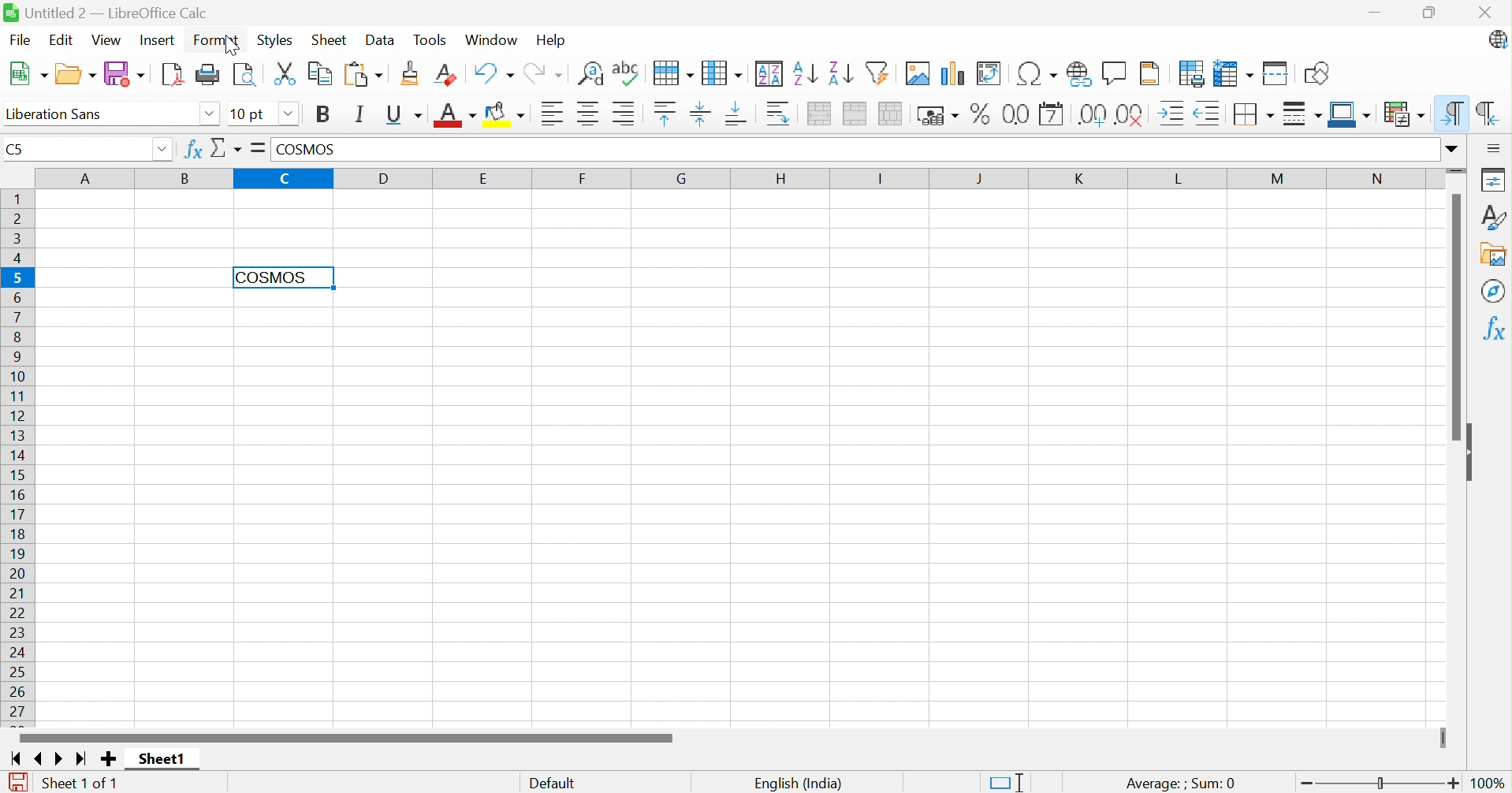  What do you see at coordinates (225, 148) in the screenshot?
I see `Select Function` at bounding box center [225, 148].